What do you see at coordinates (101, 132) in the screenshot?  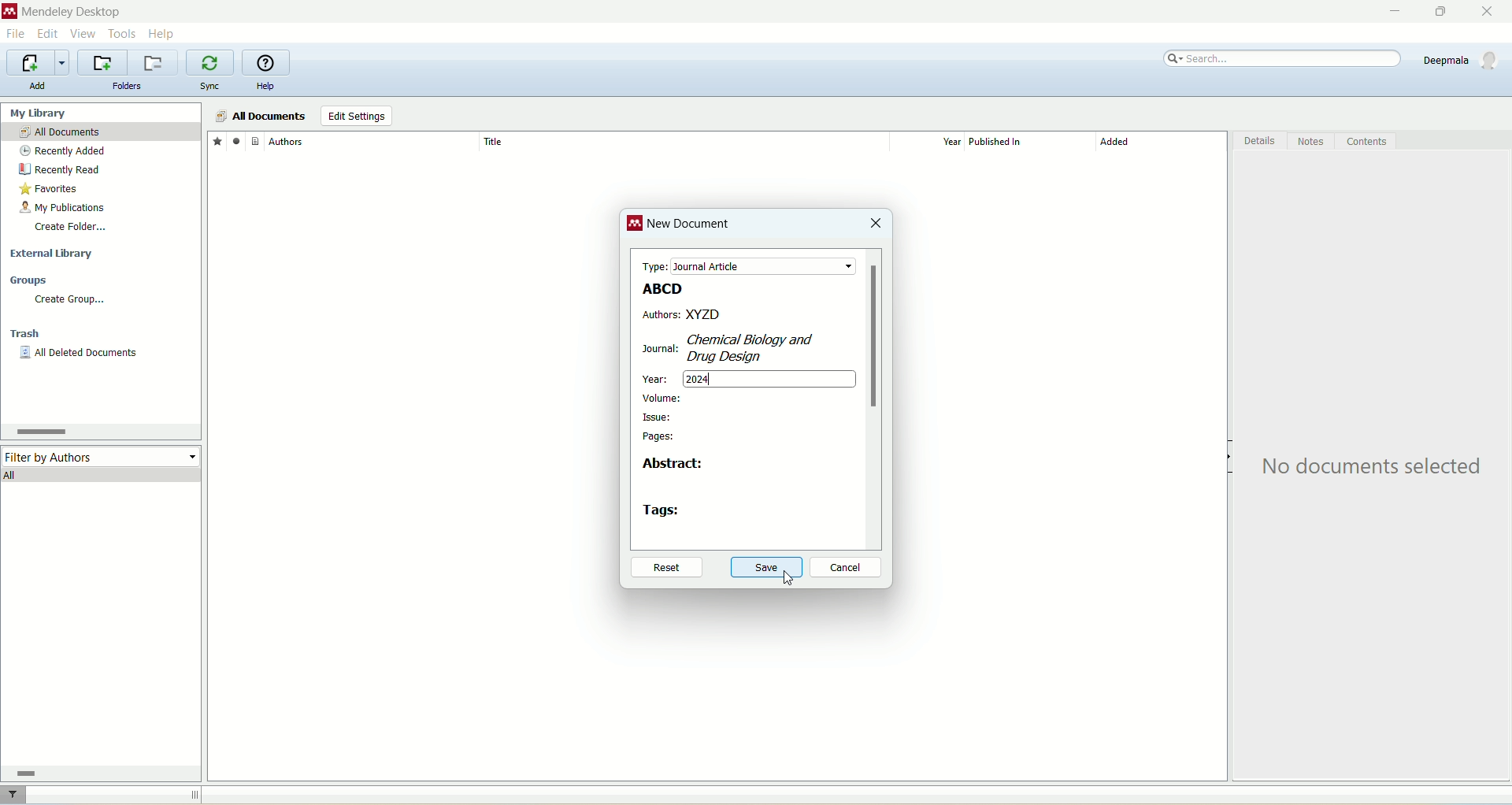 I see `all documents` at bounding box center [101, 132].